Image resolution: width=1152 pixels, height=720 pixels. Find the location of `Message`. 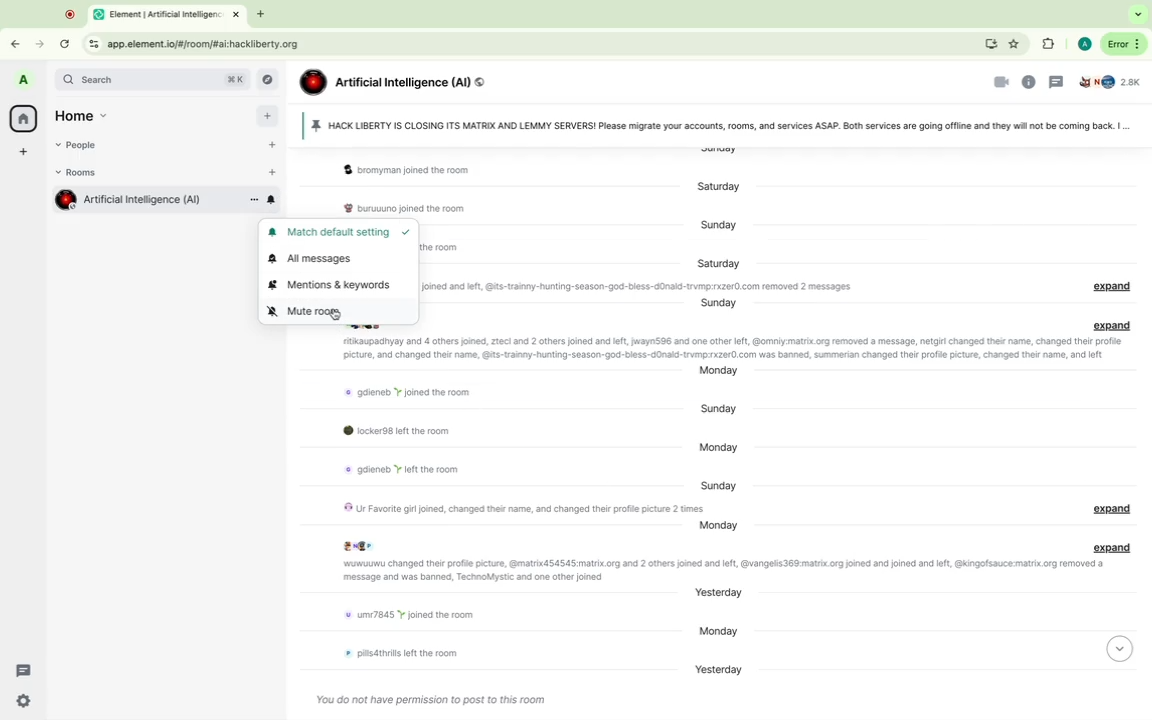

Message is located at coordinates (435, 698).